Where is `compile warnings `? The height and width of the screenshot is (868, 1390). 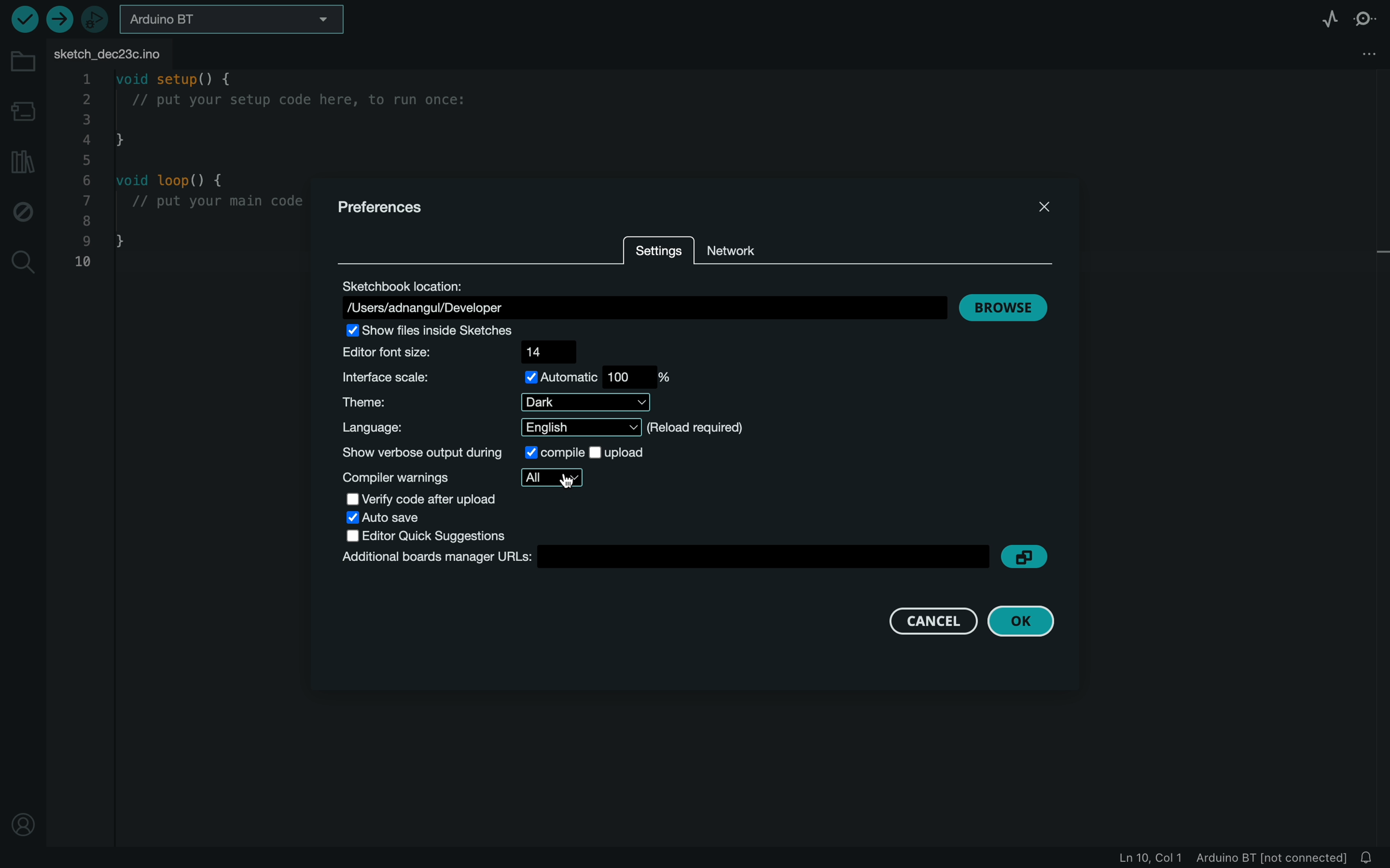
compile warnings  is located at coordinates (458, 478).